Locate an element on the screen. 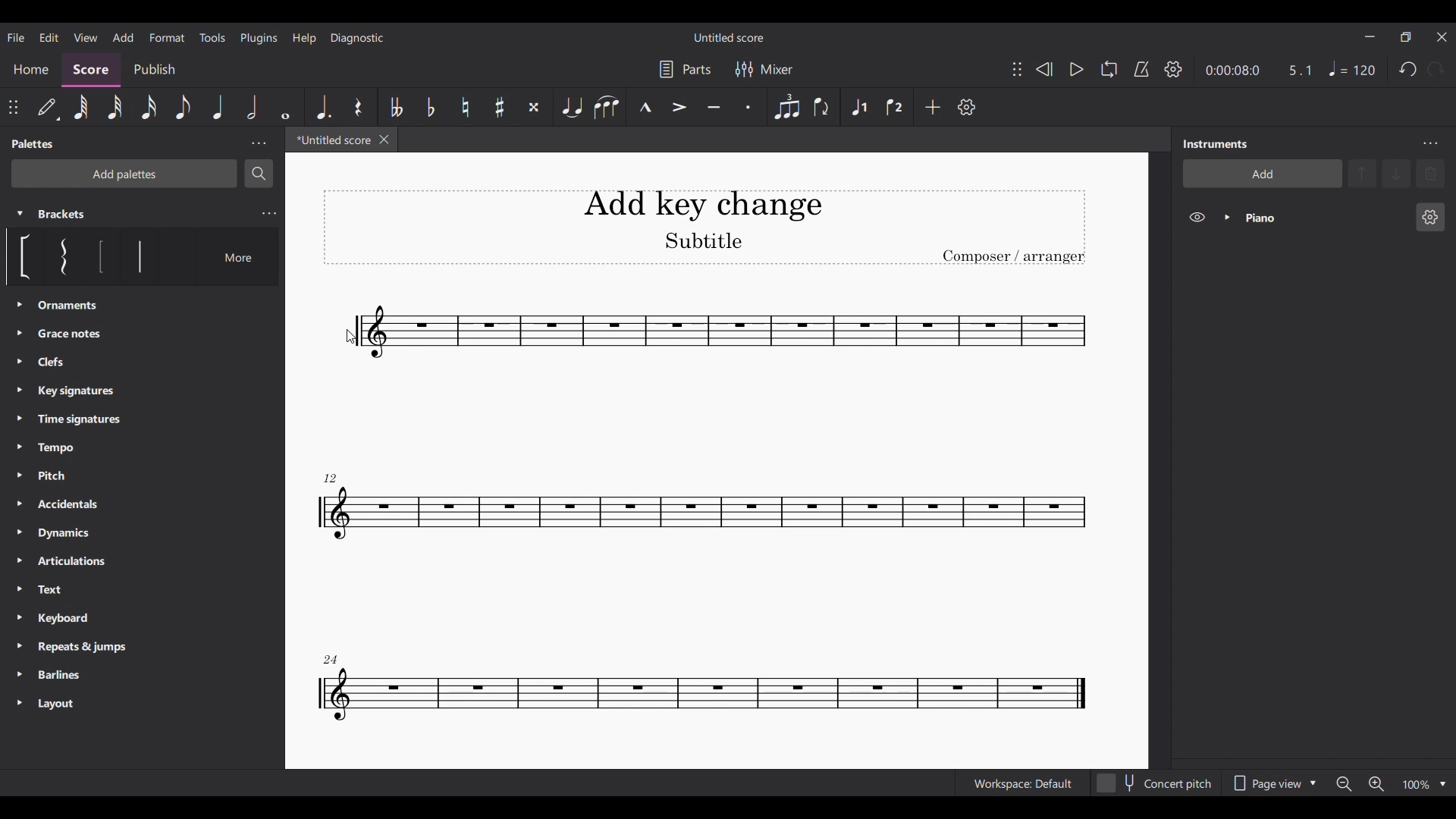 This screenshot has width=1456, height=819. Close interface is located at coordinates (1441, 37).